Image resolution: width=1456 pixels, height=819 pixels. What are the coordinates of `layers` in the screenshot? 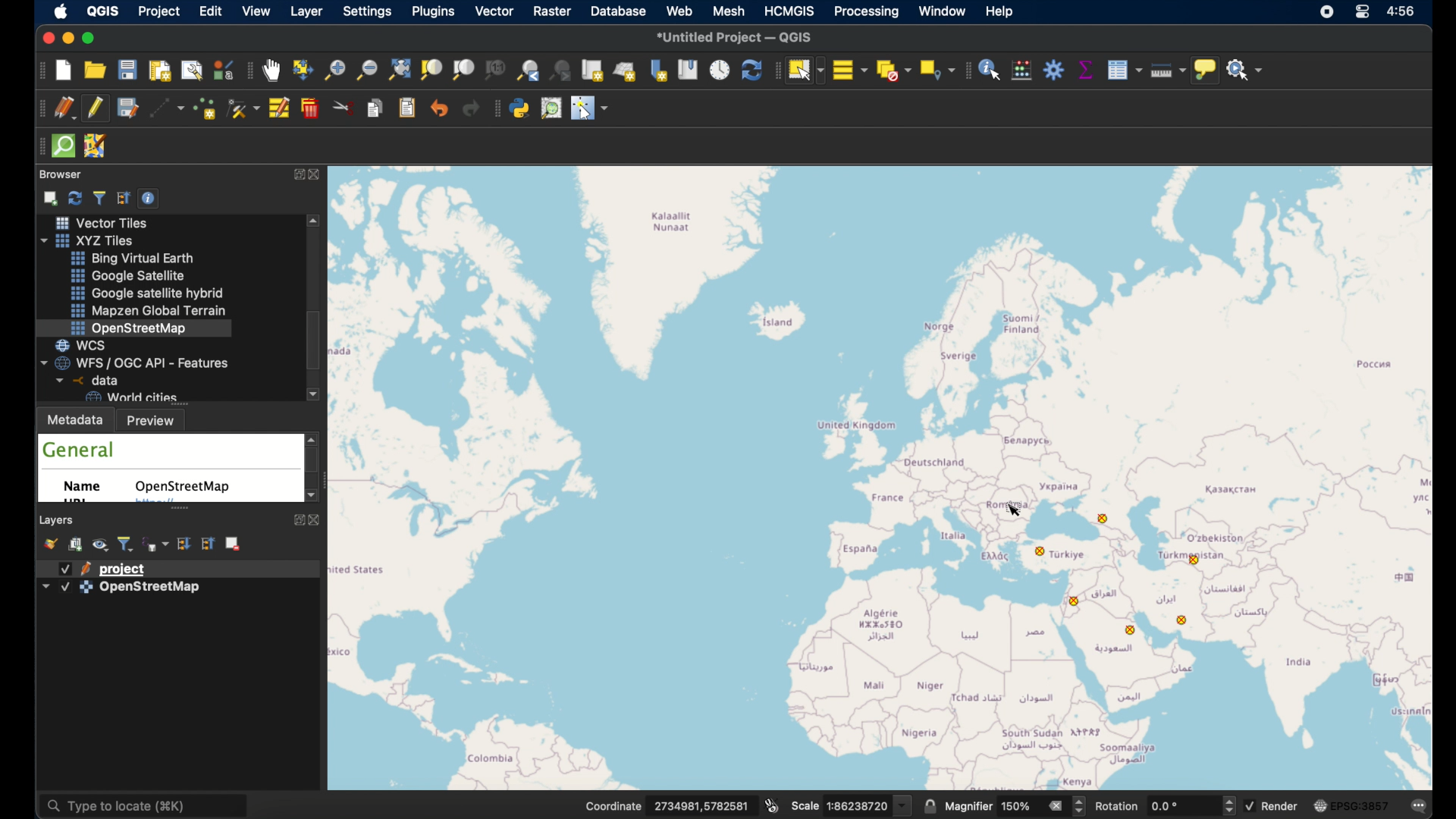 It's located at (58, 519).